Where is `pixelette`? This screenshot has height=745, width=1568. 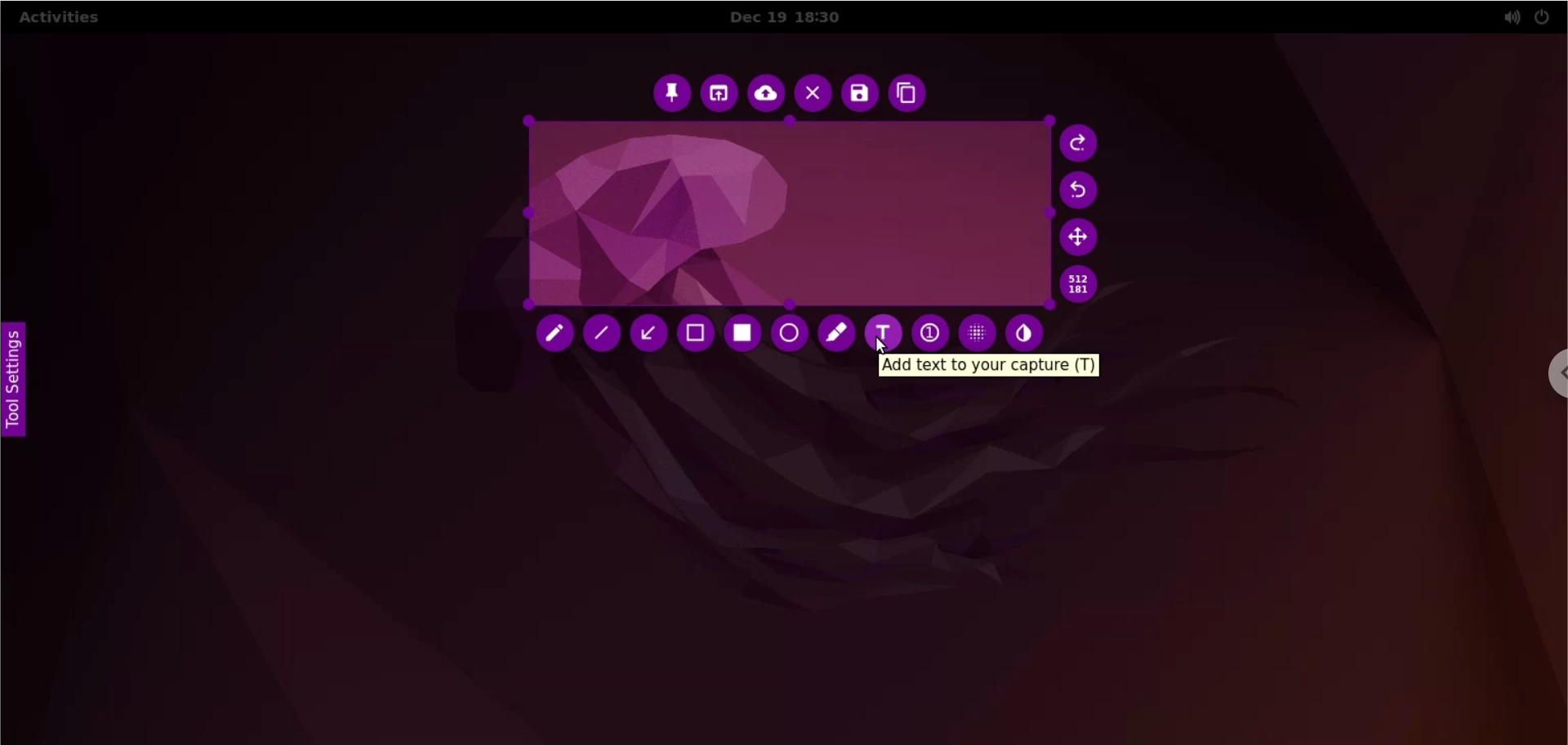 pixelette is located at coordinates (977, 329).